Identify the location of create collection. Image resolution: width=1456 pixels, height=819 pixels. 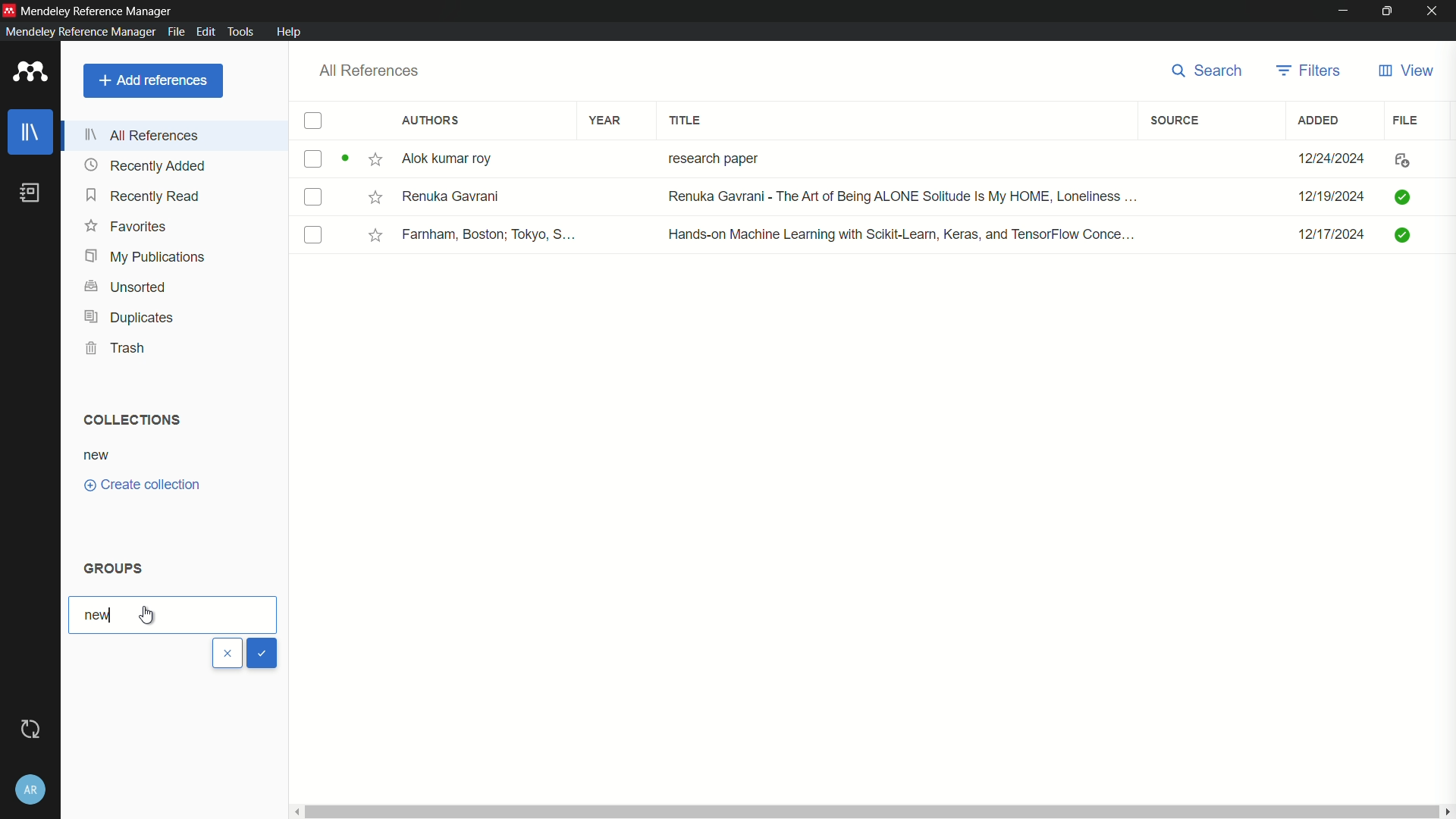
(143, 485).